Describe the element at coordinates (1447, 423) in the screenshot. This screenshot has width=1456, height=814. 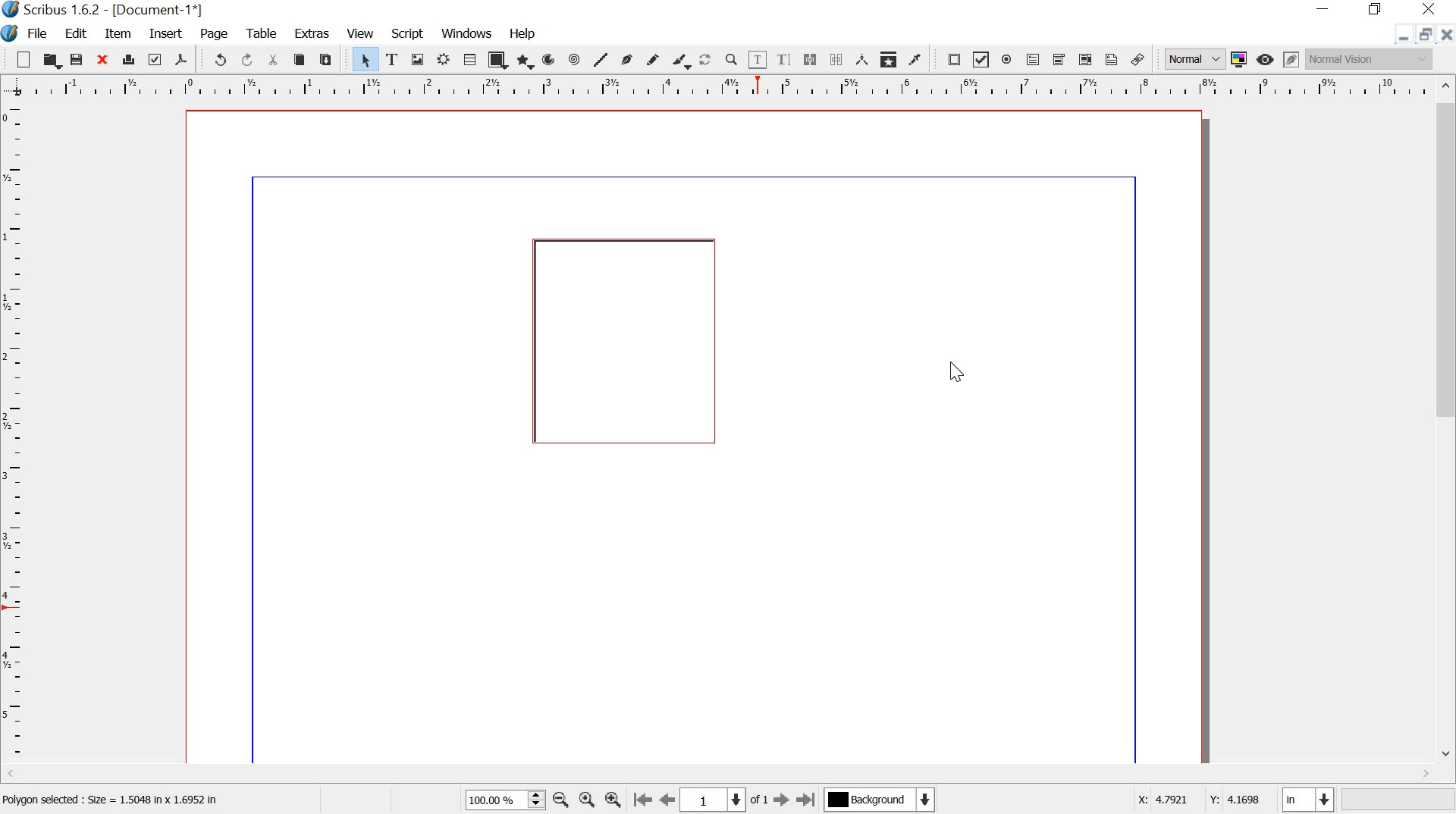
I see `scrollbar` at that location.